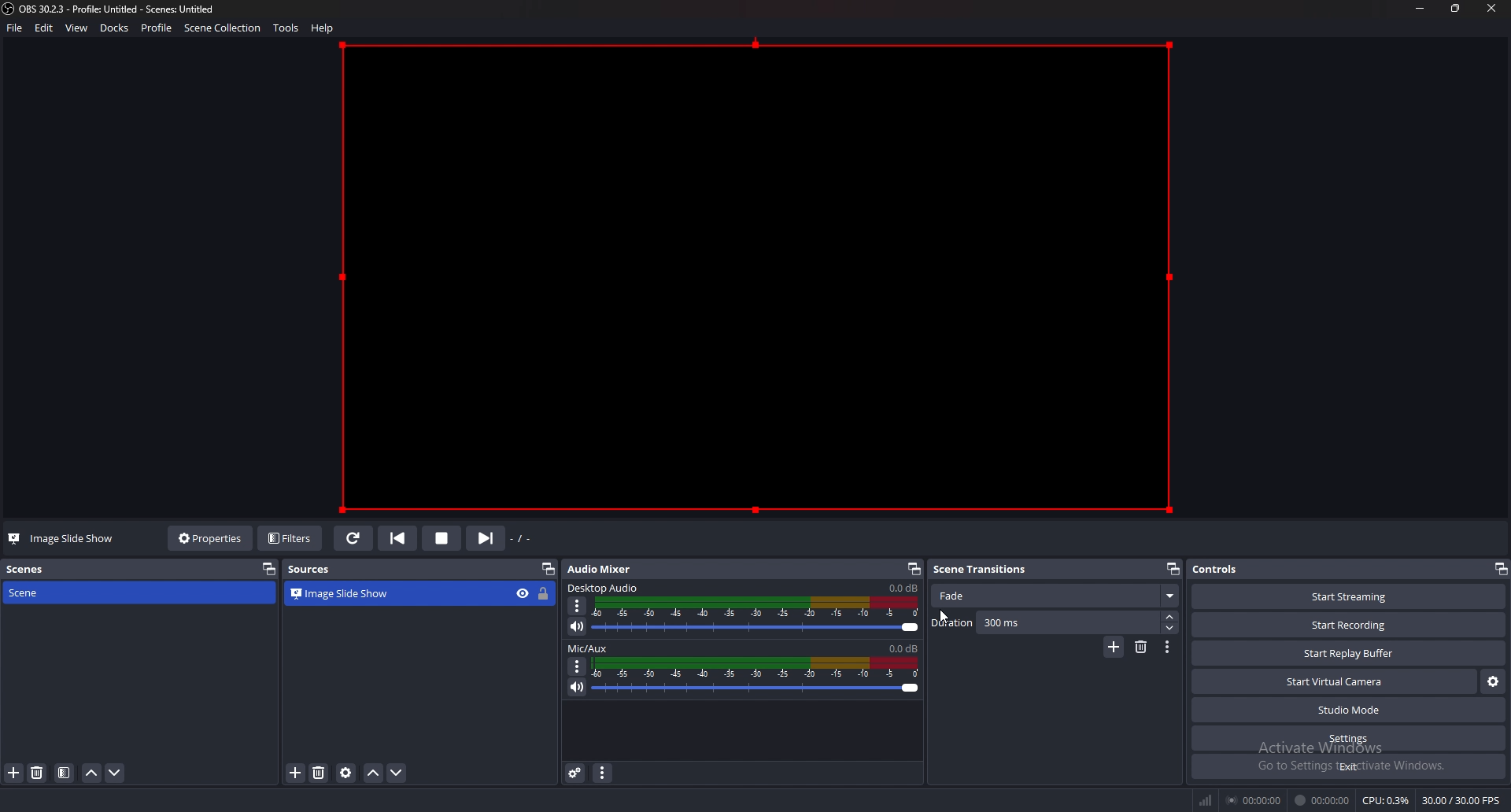  What do you see at coordinates (1170, 629) in the screenshot?
I see `decrease duration` at bounding box center [1170, 629].